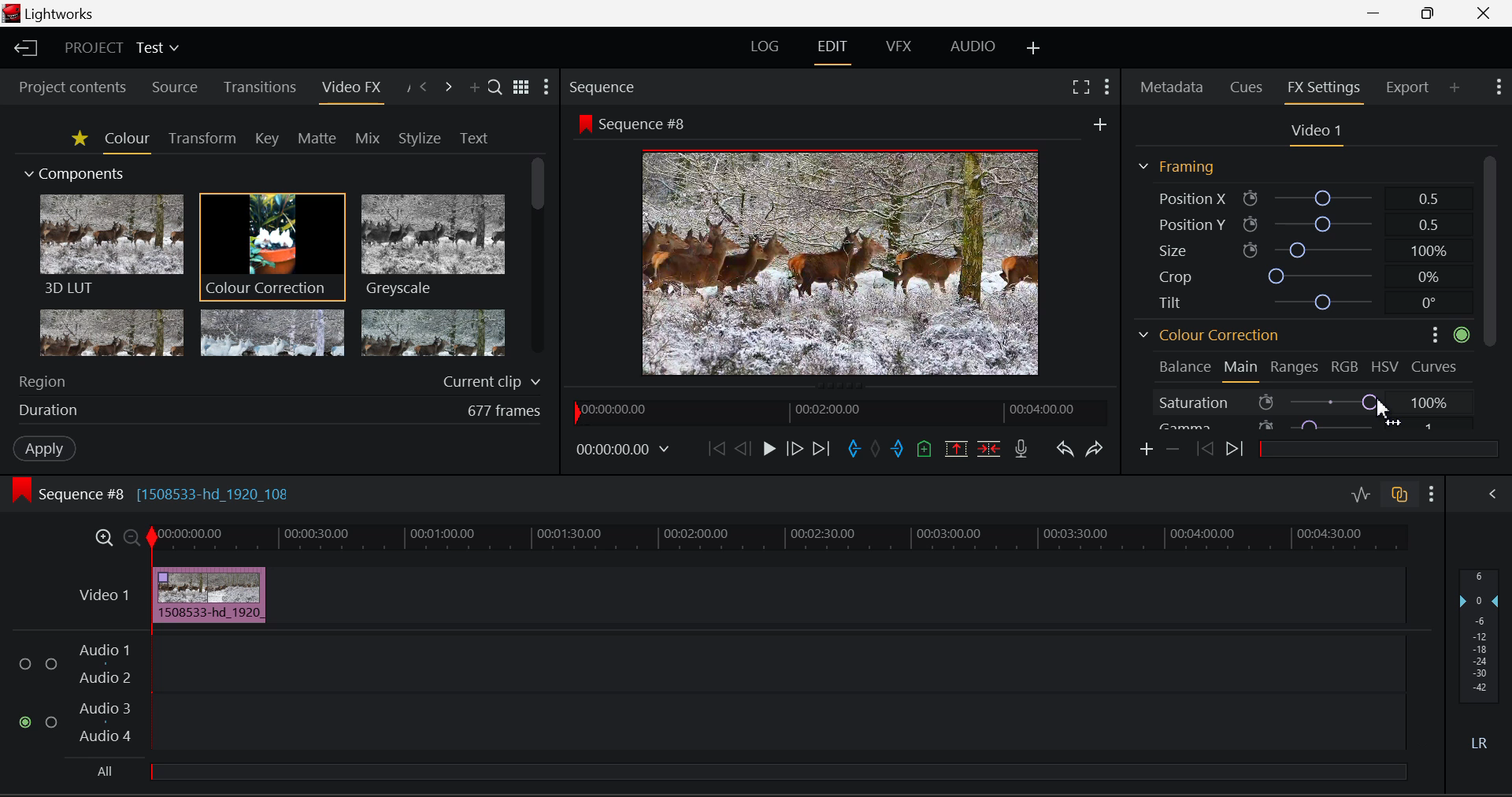 This screenshot has height=797, width=1512. I want to click on Gamma, so click(1298, 424).